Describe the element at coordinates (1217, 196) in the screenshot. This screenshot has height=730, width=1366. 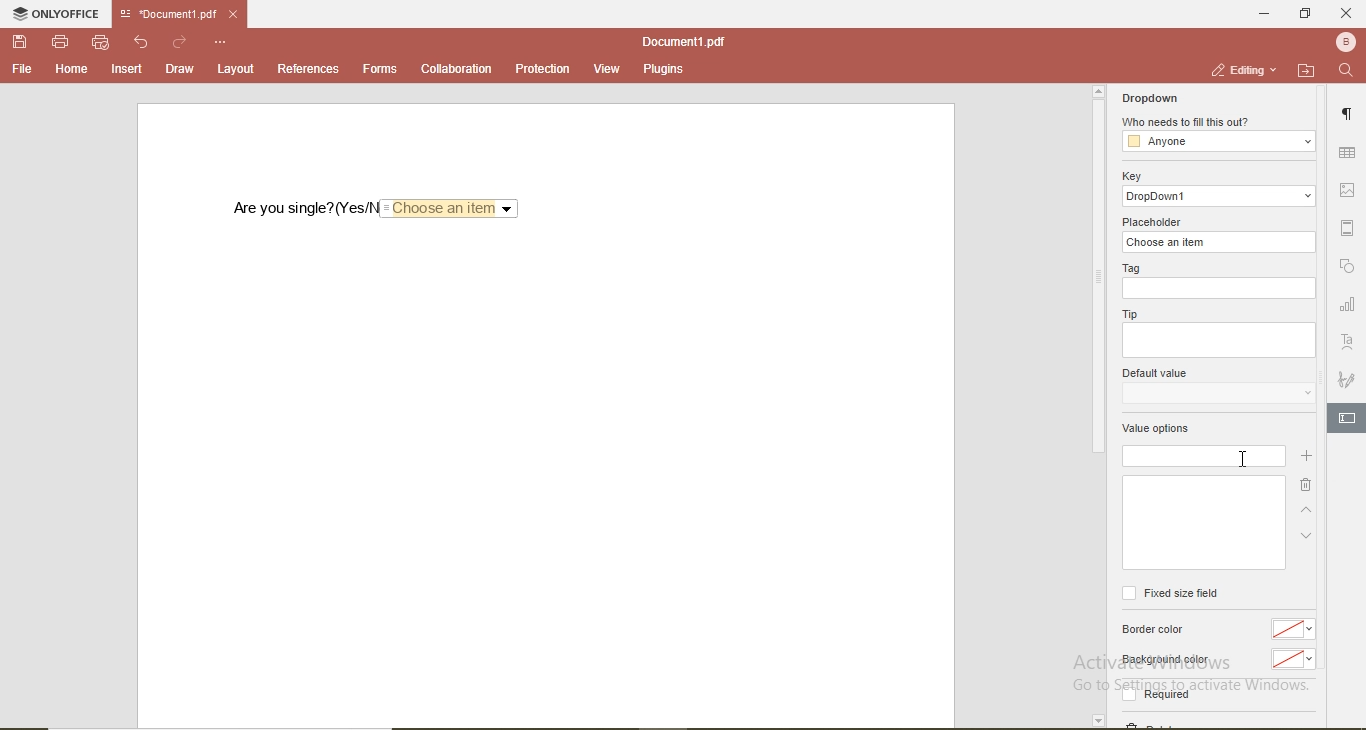
I see `dropdowm1` at that location.